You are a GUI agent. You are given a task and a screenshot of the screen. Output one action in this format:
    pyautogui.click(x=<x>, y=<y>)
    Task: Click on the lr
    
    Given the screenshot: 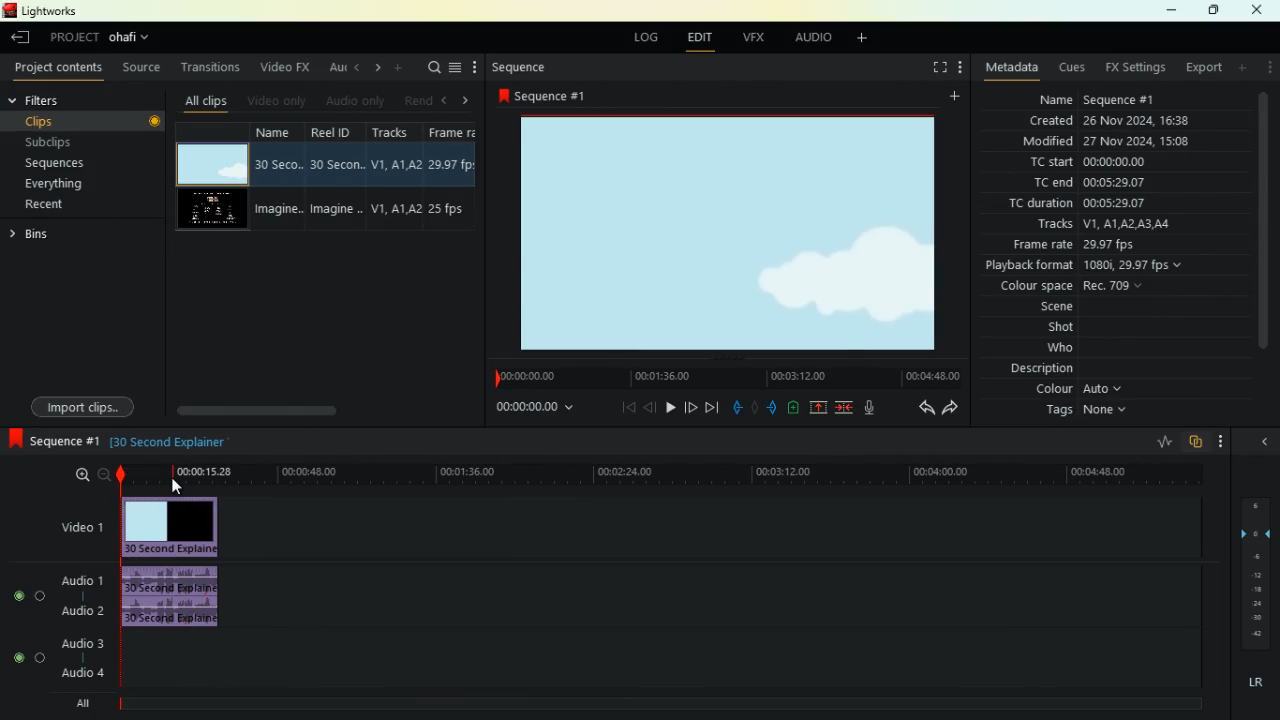 What is the action you would take?
    pyautogui.click(x=1254, y=684)
    